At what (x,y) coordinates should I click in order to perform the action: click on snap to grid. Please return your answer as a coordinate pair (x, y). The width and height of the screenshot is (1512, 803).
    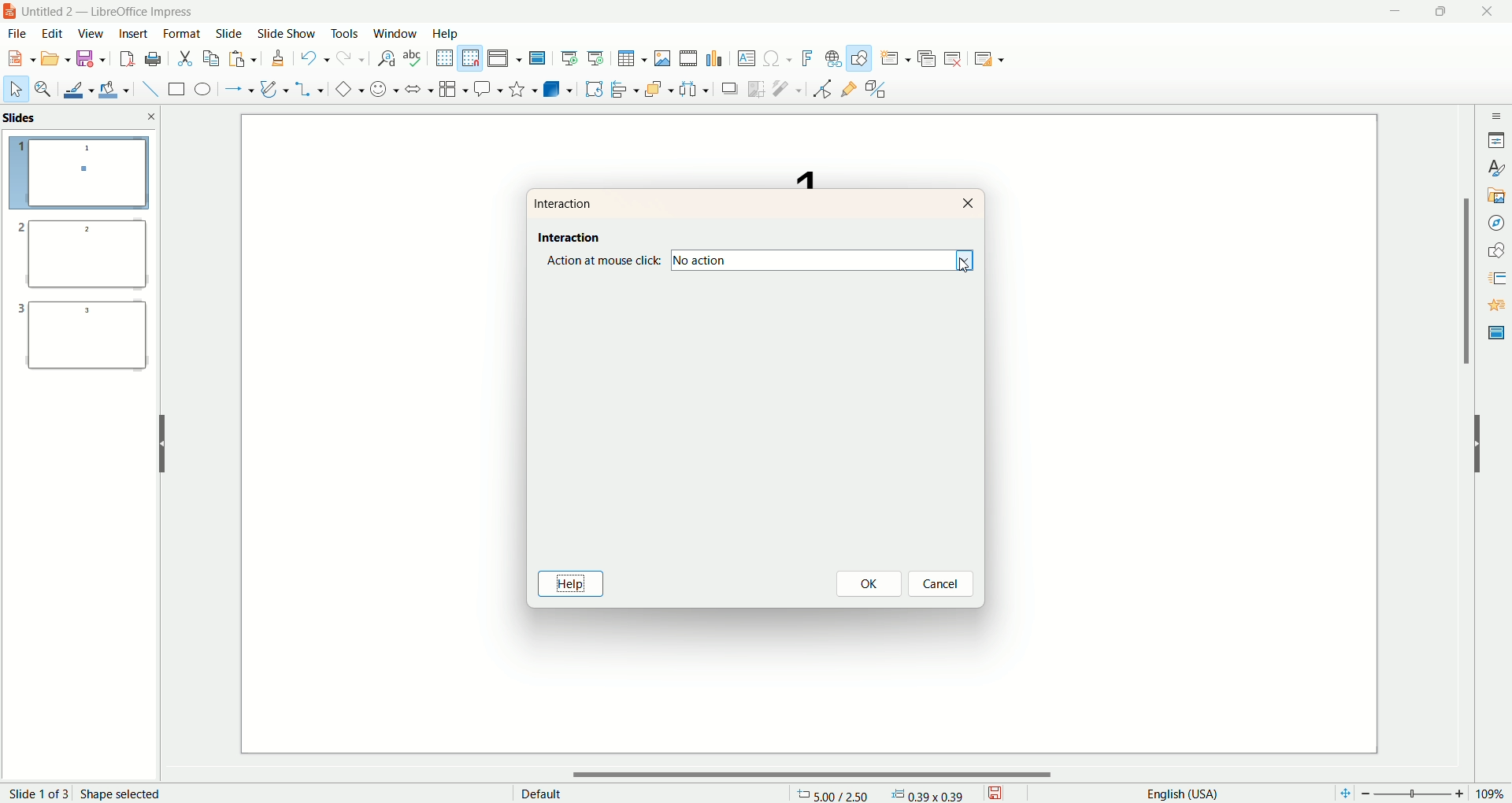
    Looking at the image, I should click on (472, 58).